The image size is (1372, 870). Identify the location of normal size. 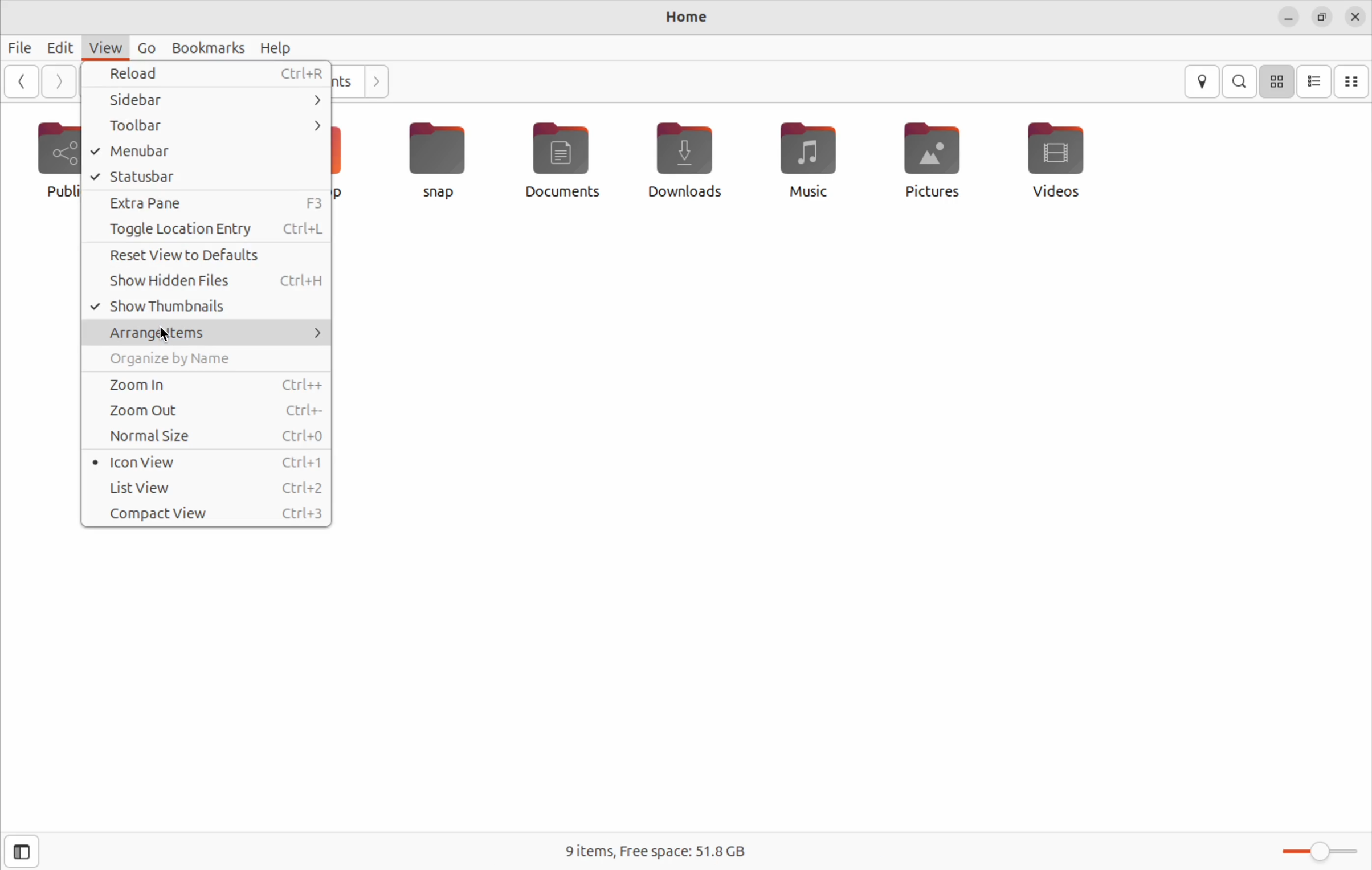
(209, 436).